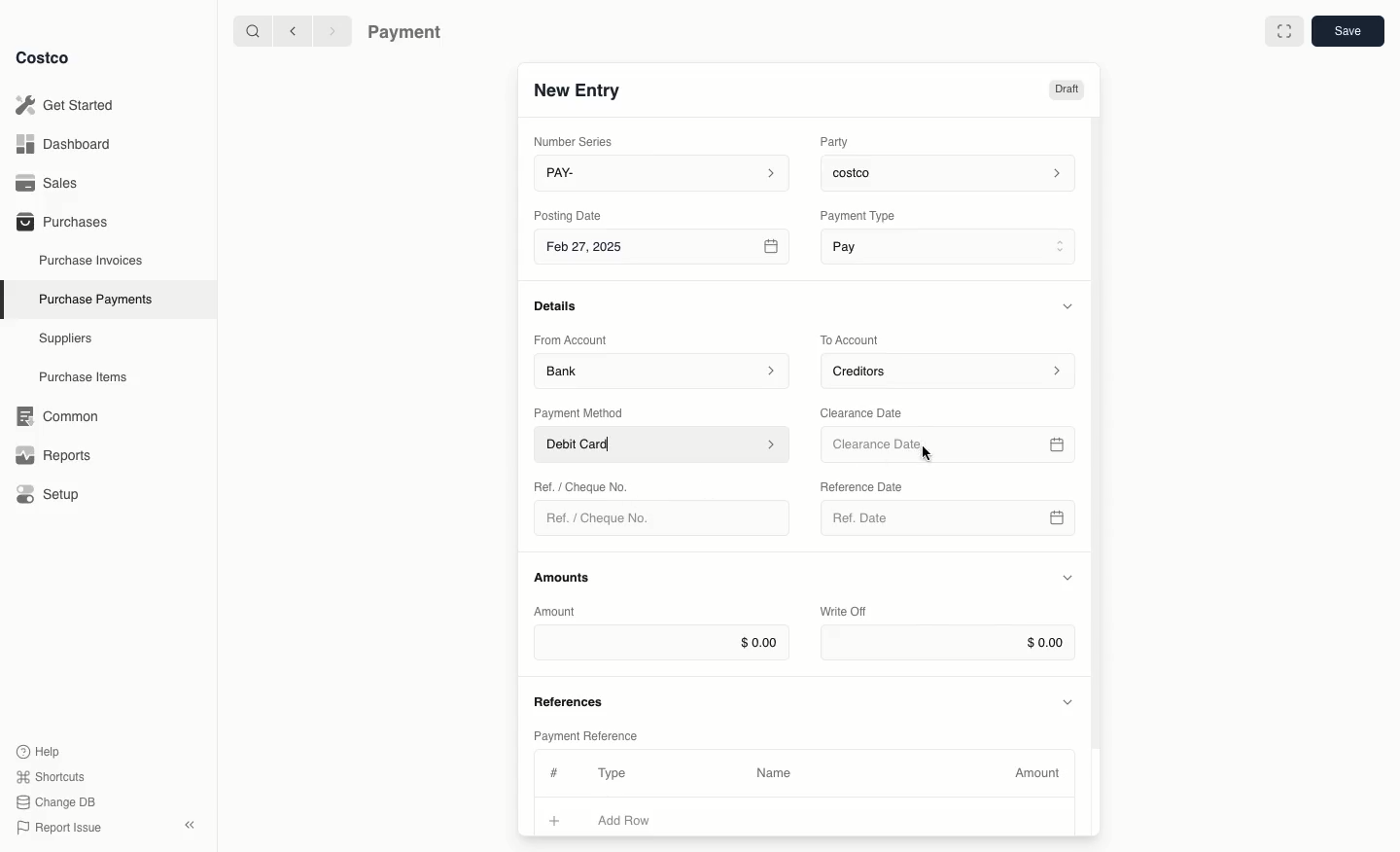 The width and height of the screenshot is (1400, 852). What do you see at coordinates (664, 250) in the screenshot?
I see `Feb 27, 2025` at bounding box center [664, 250].